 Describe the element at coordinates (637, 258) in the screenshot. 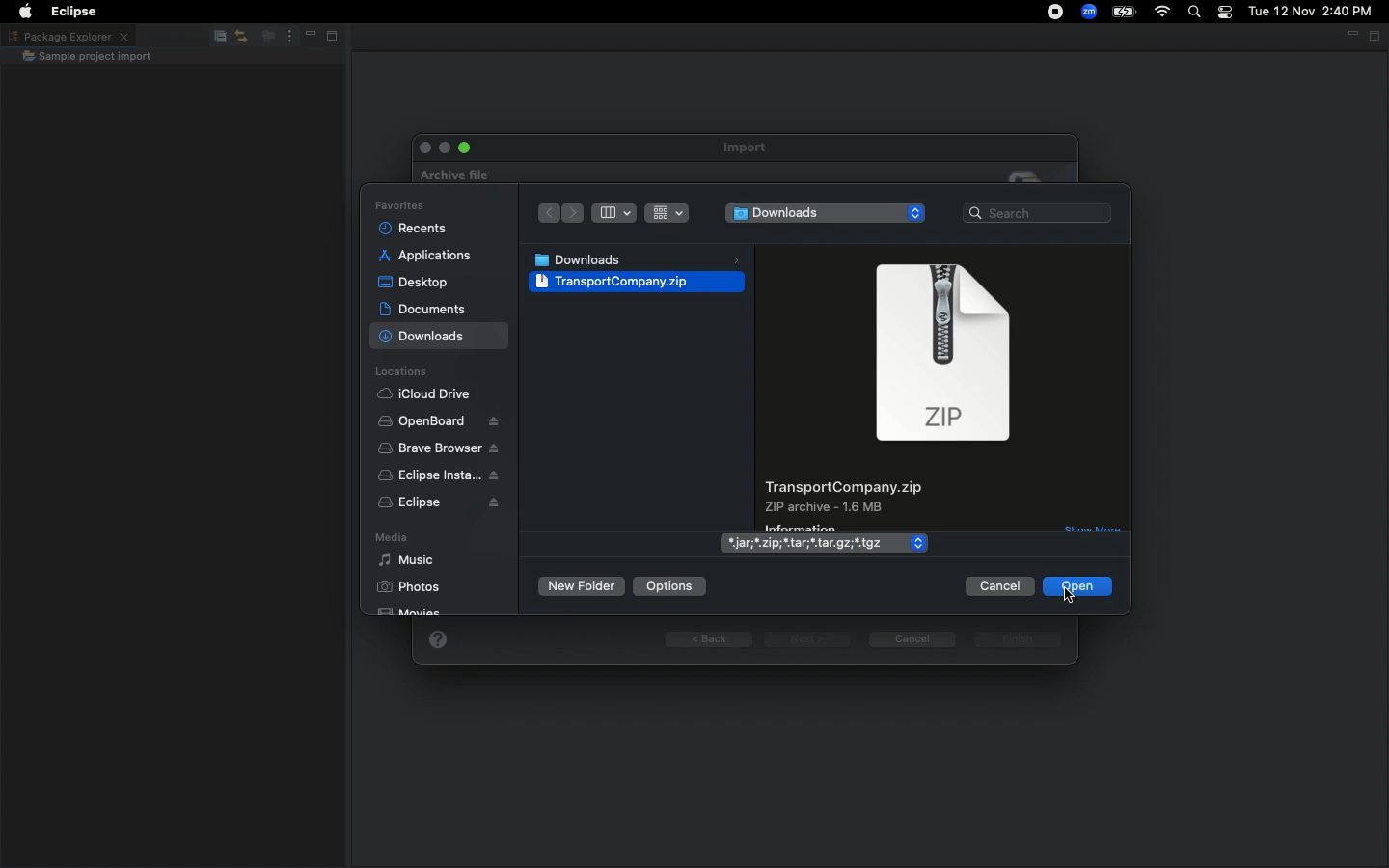

I see `Downloads` at that location.